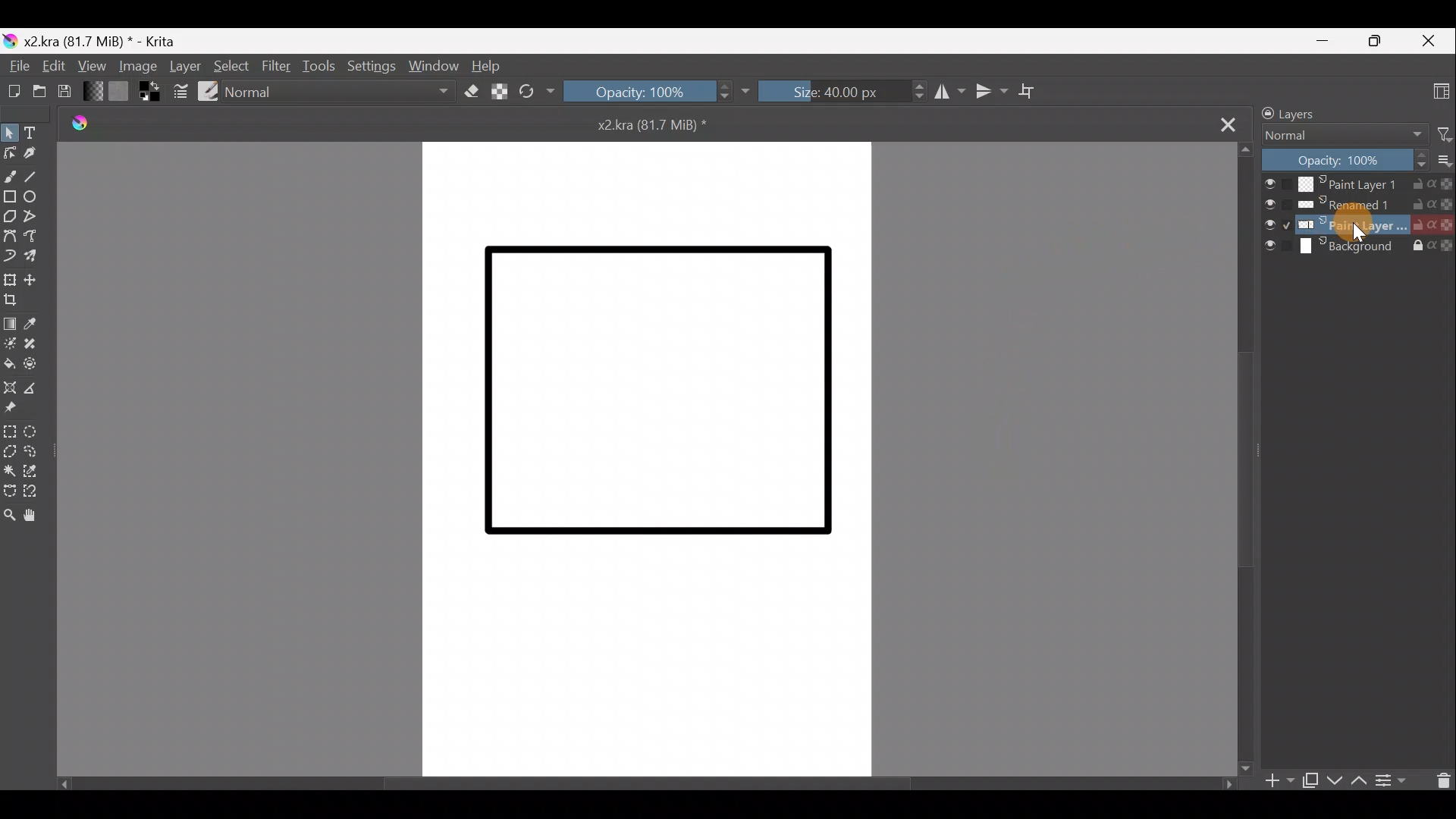 The height and width of the screenshot is (819, 1456). Describe the element at coordinates (14, 301) in the screenshot. I see `Crop image to an area` at that location.